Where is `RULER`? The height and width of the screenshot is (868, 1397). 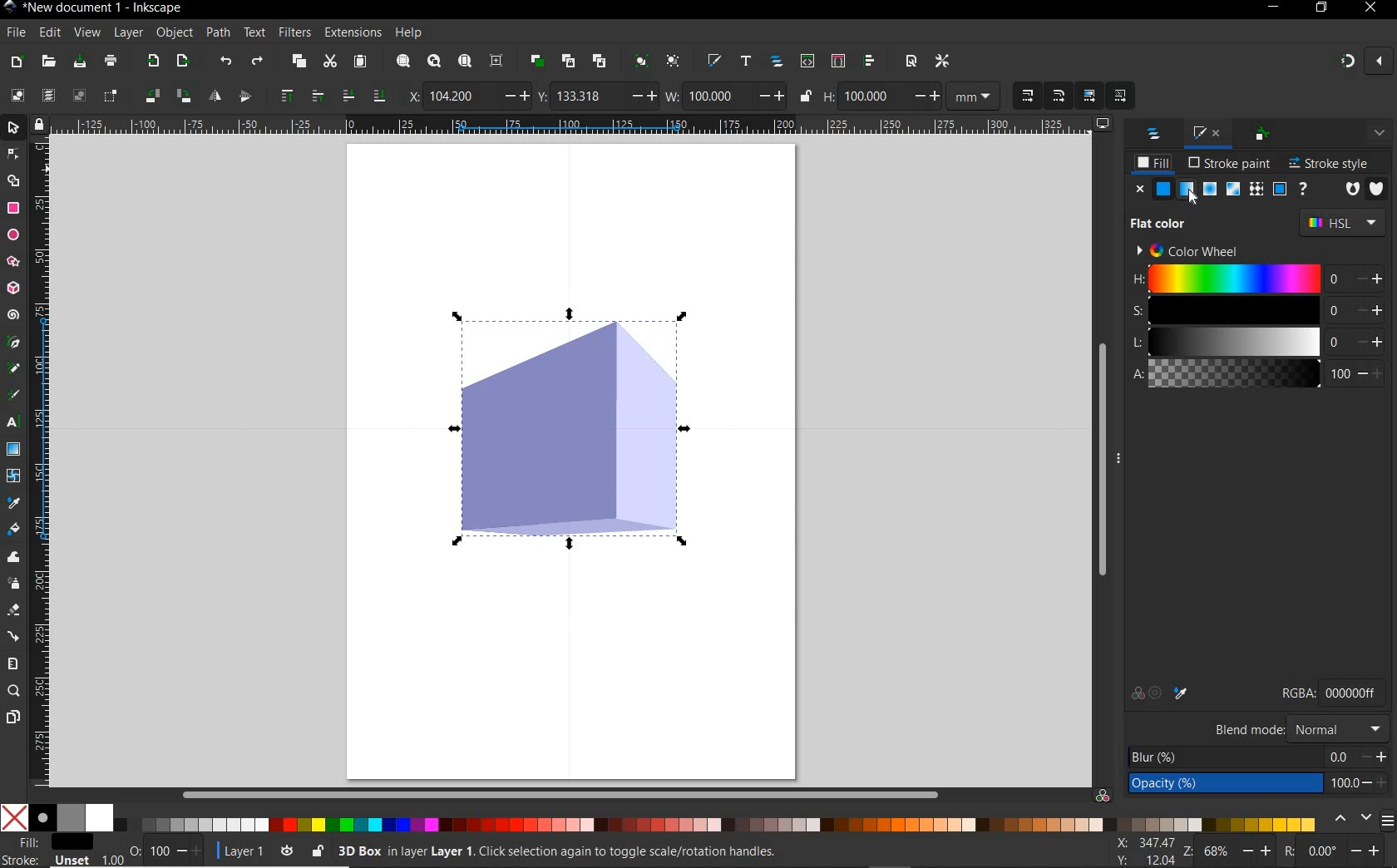 RULER is located at coordinates (41, 461).